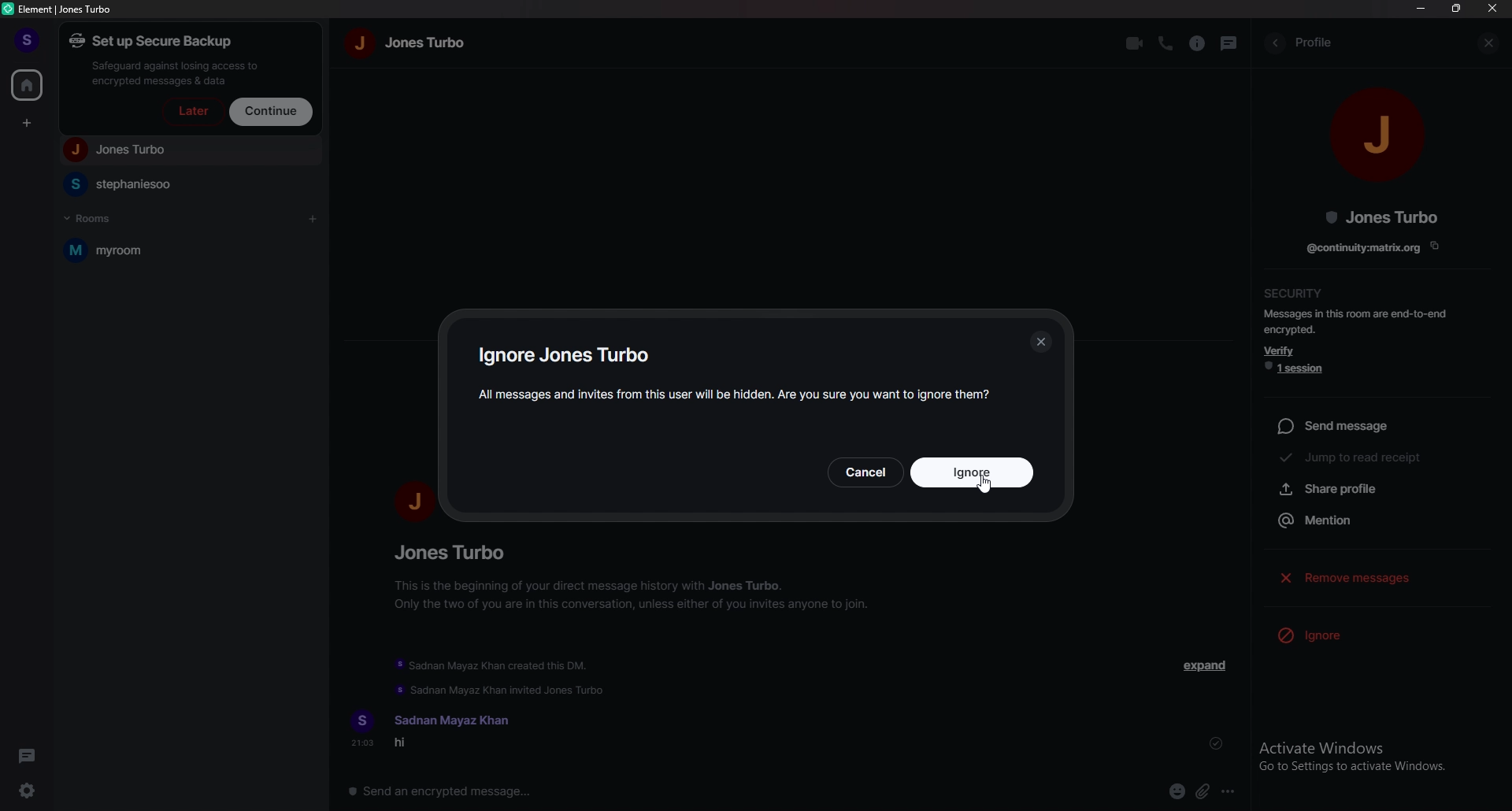  What do you see at coordinates (495, 676) in the screenshot?
I see `update` at bounding box center [495, 676].